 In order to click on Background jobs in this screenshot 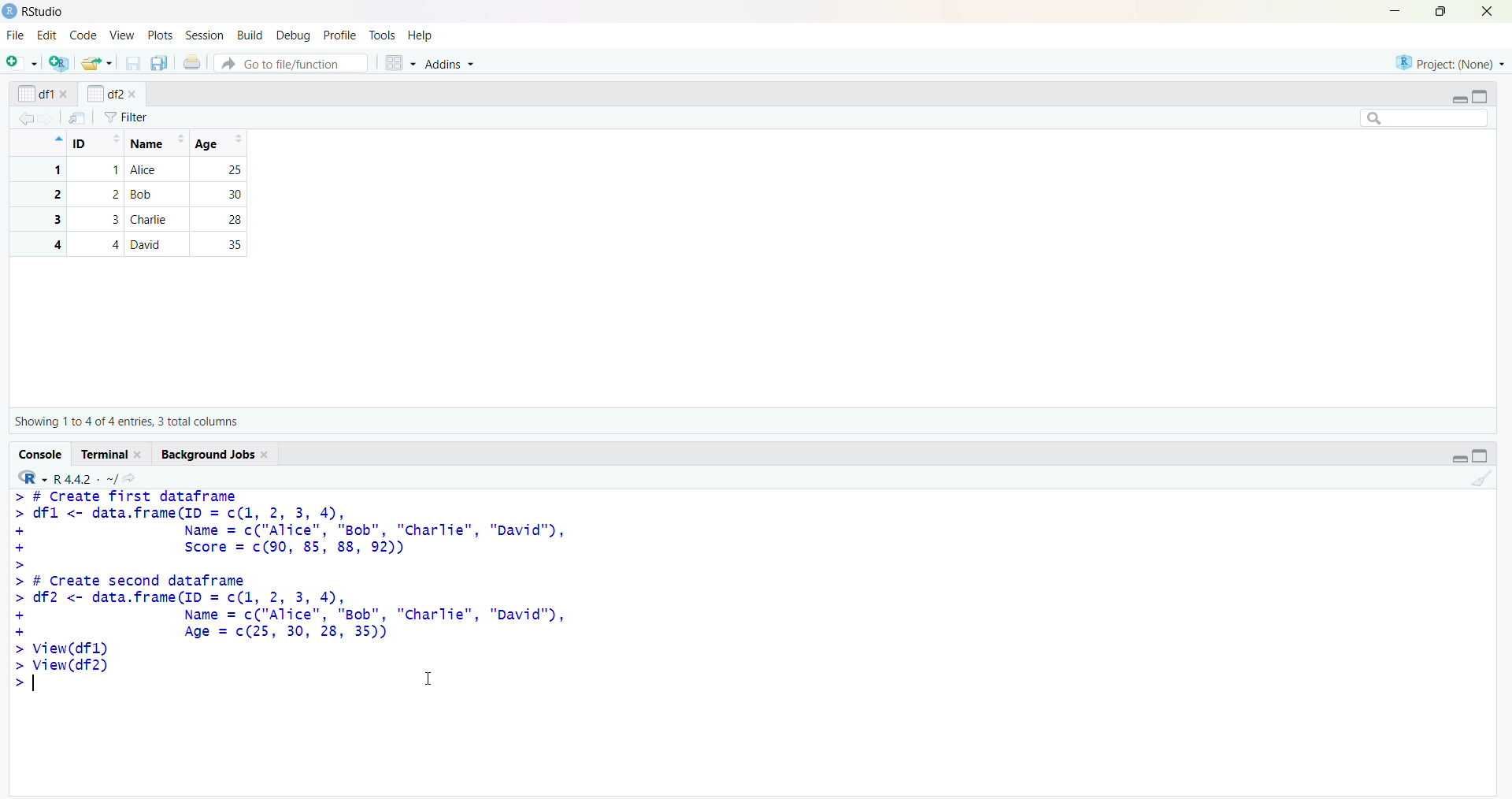, I will do `click(208, 455)`.